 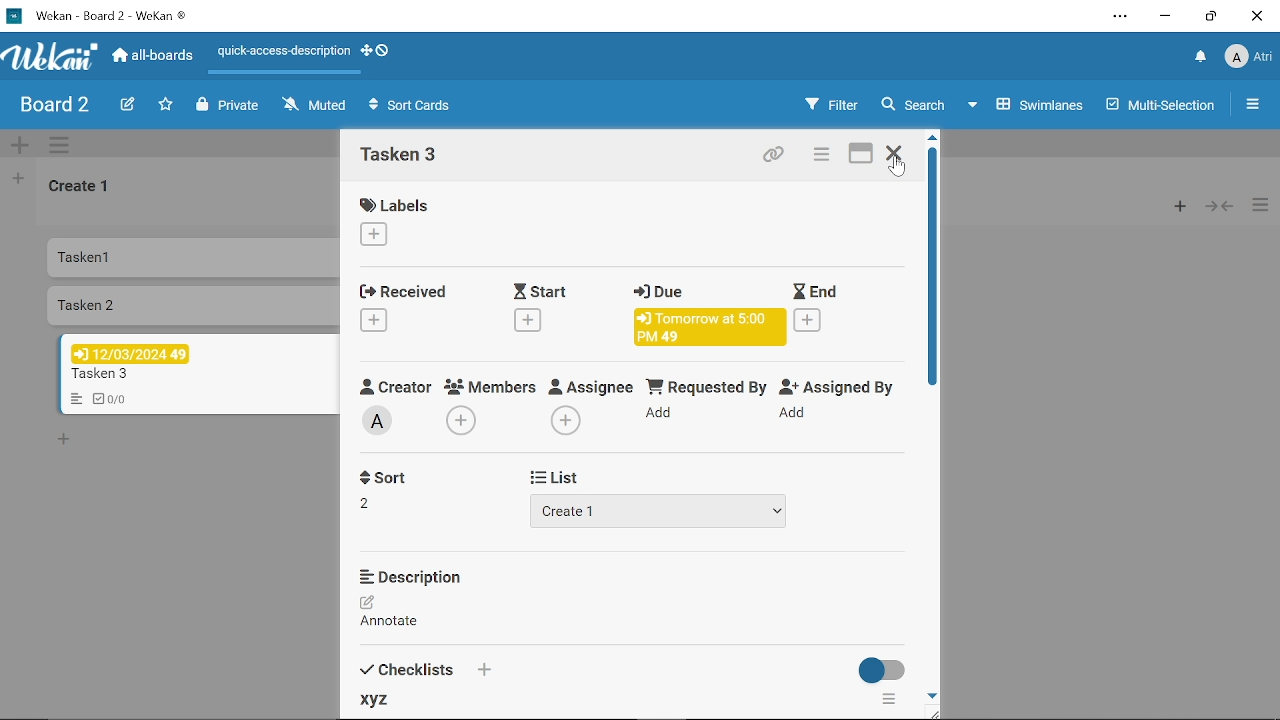 What do you see at coordinates (1166, 17) in the screenshot?
I see `Minimize` at bounding box center [1166, 17].